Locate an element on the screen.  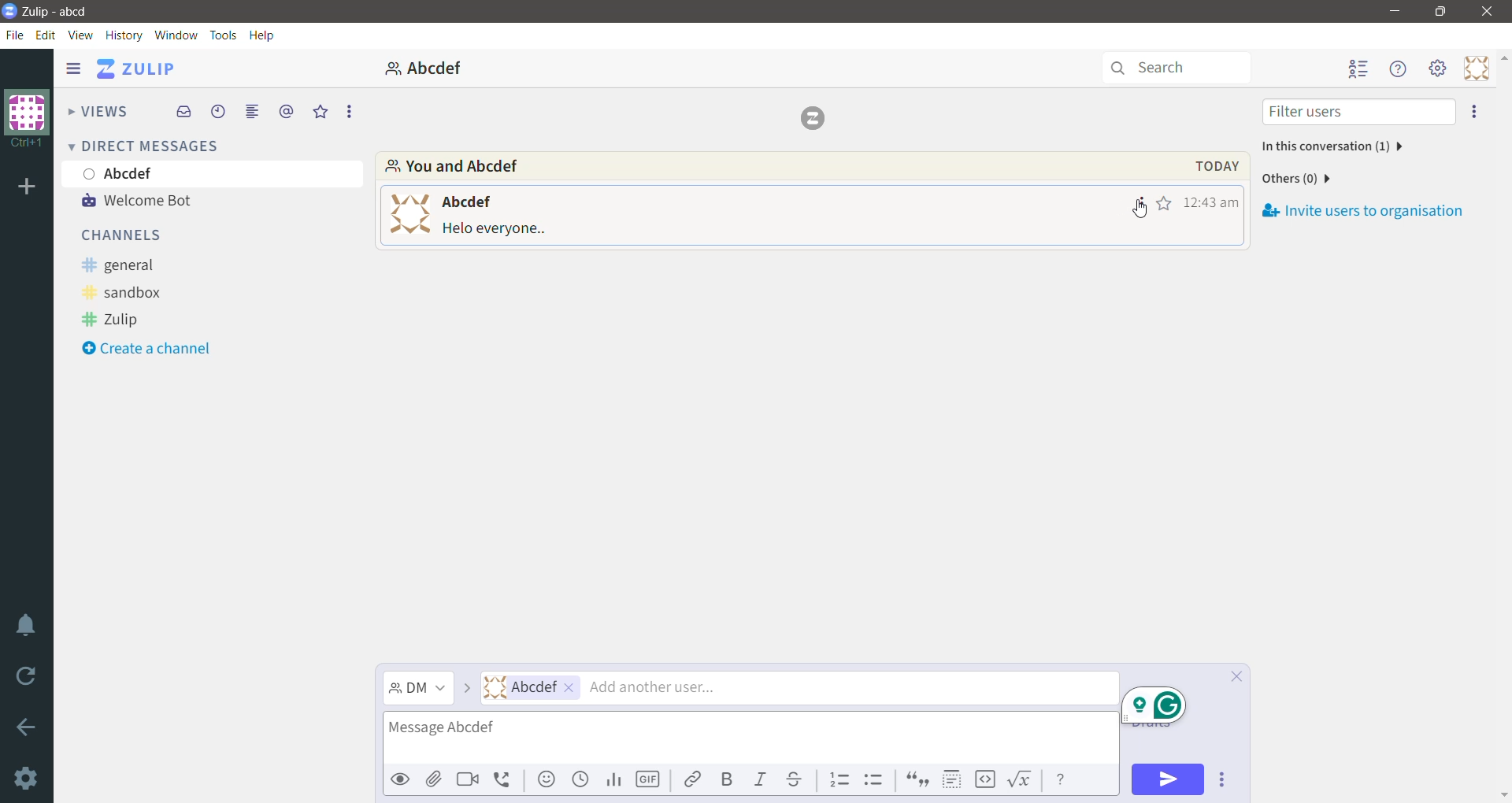
Help menu is located at coordinates (1400, 68).